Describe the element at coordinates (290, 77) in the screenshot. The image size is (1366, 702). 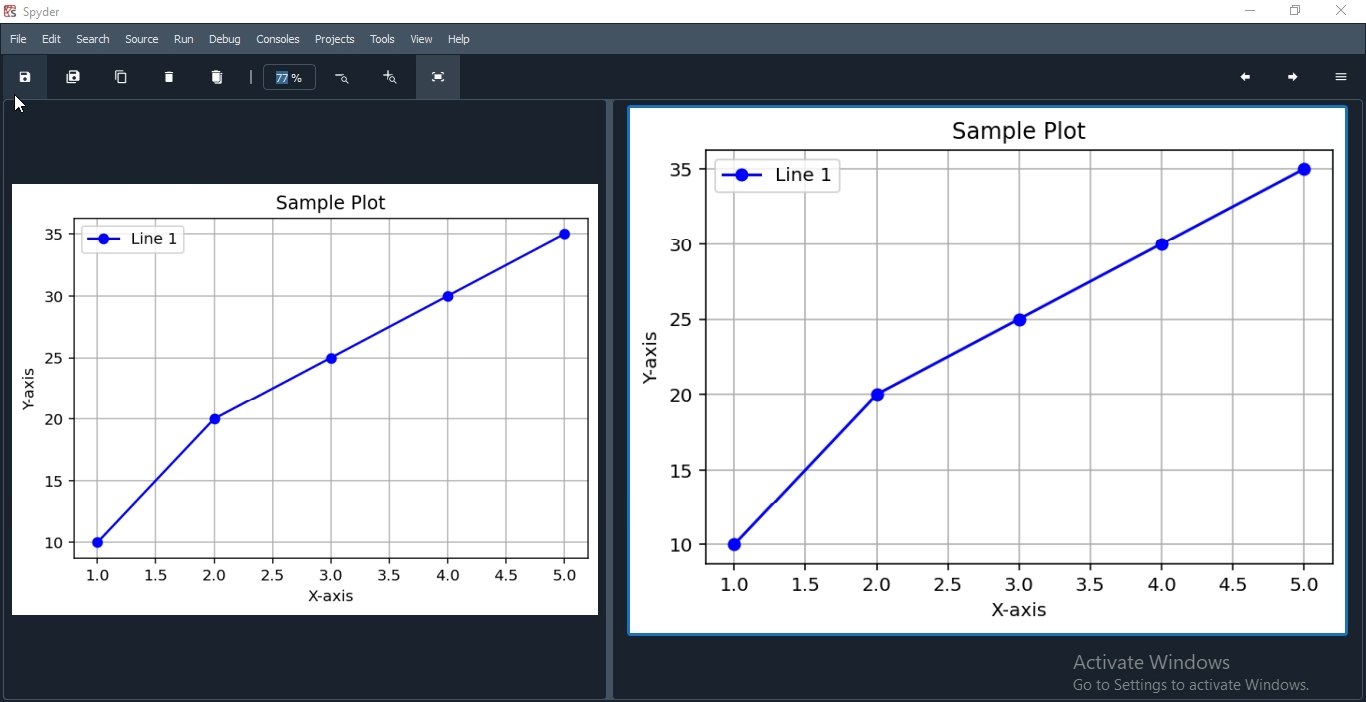
I see `zoom %` at that location.